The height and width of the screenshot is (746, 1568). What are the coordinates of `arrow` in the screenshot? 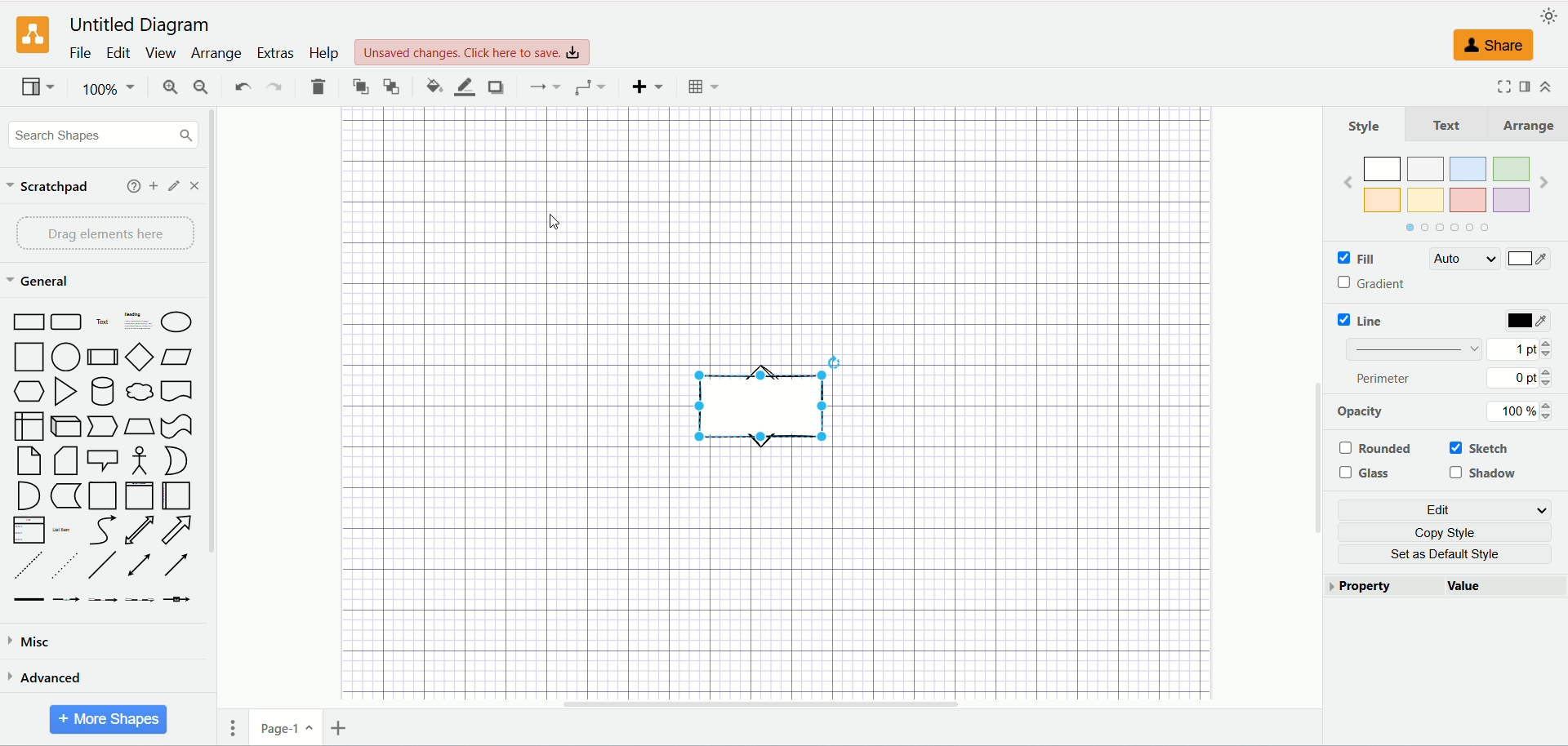 It's located at (180, 530).